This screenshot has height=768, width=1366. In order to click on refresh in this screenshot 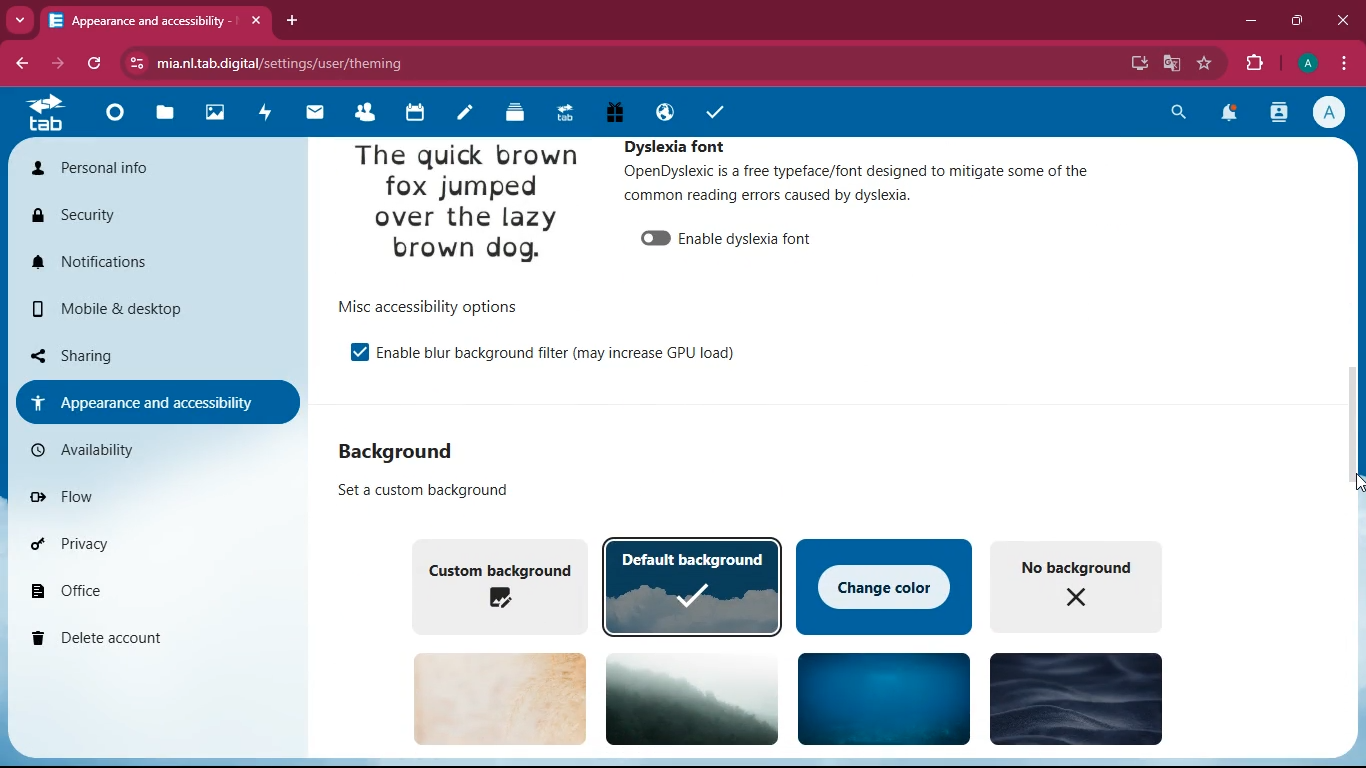, I will do `click(96, 64)`.